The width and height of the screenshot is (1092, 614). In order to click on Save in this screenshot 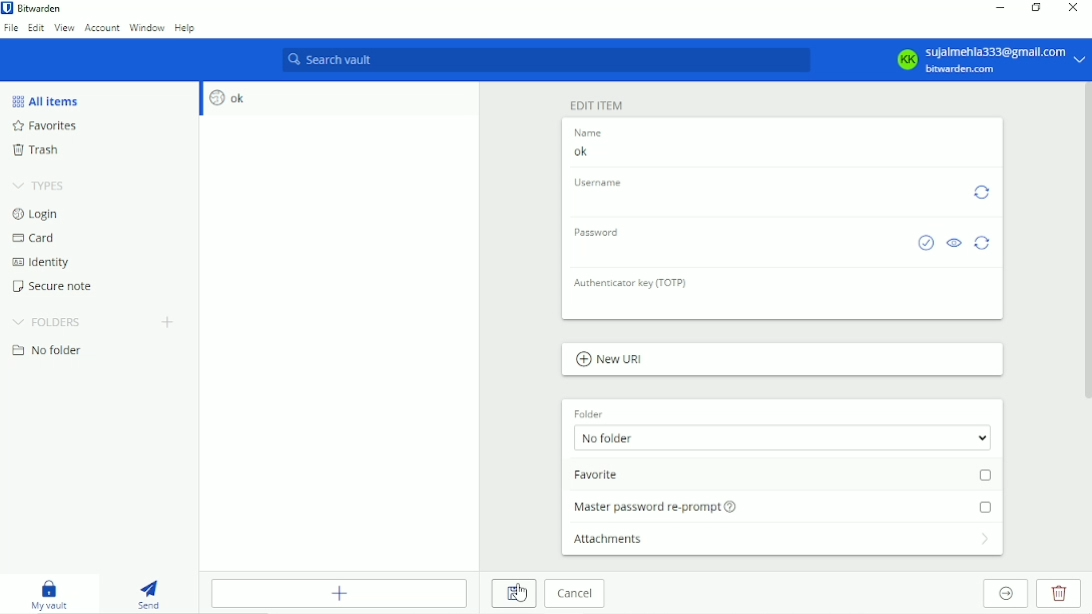, I will do `click(515, 594)`.